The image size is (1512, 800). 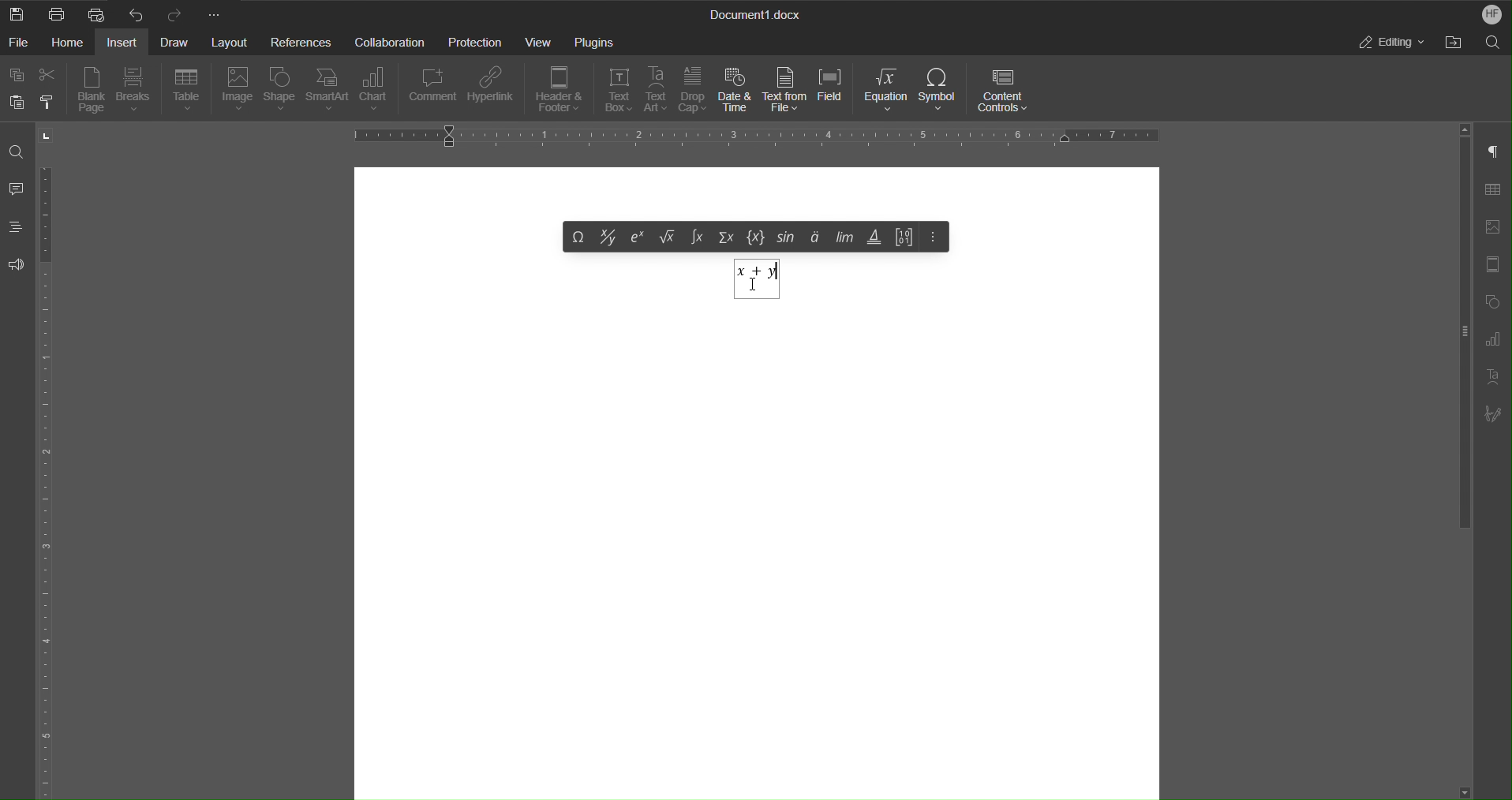 What do you see at coordinates (302, 41) in the screenshot?
I see `References` at bounding box center [302, 41].